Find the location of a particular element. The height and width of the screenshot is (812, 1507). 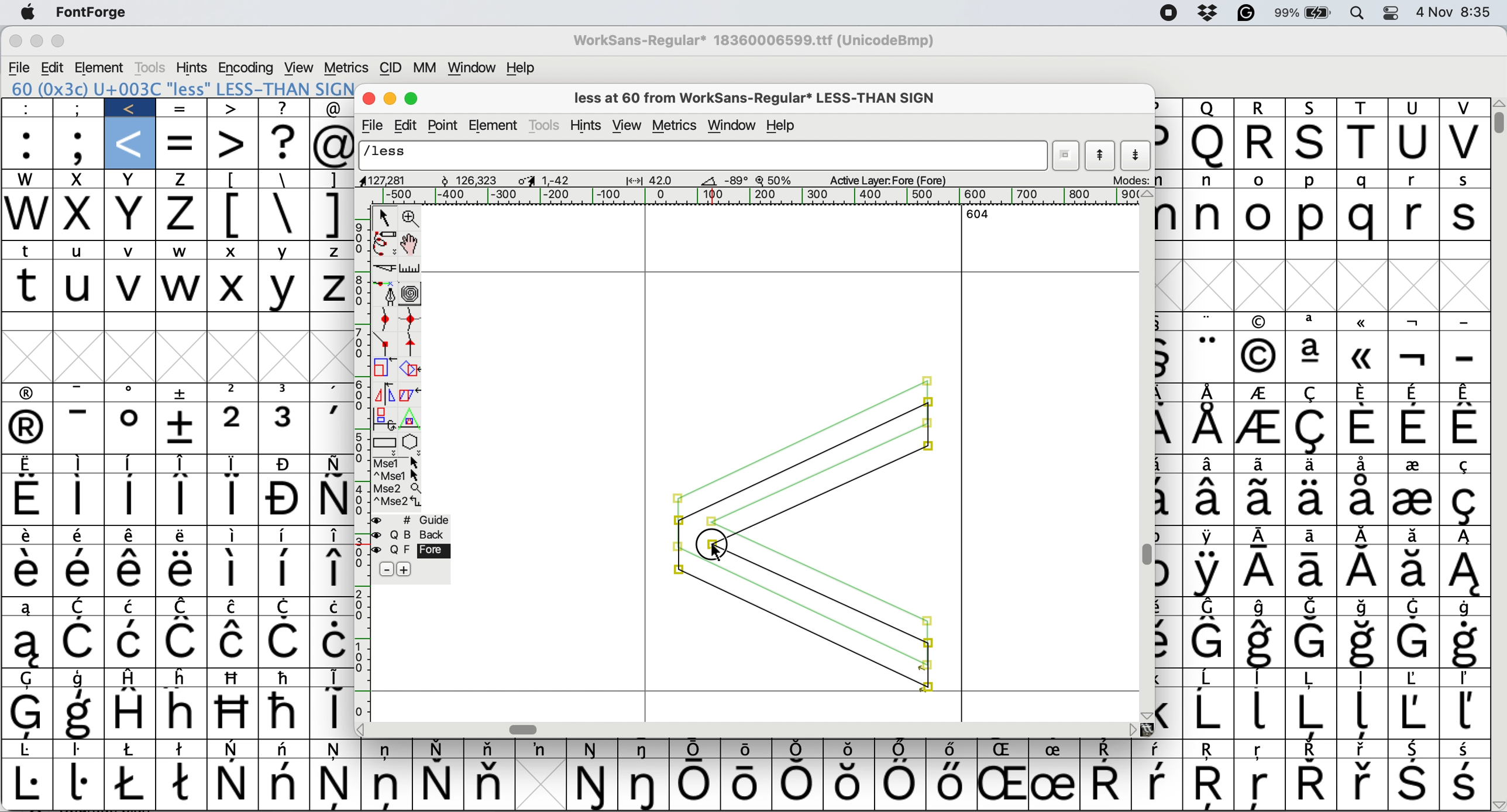

Symbol is located at coordinates (180, 498).